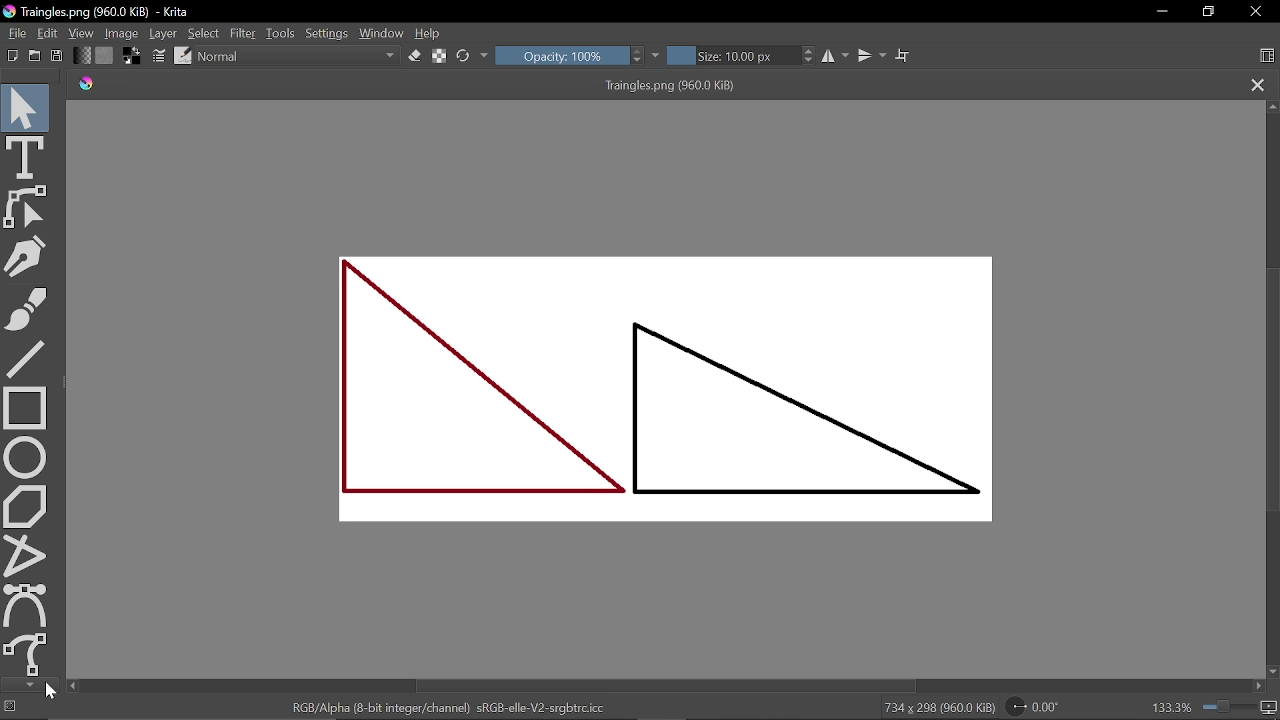  Describe the element at coordinates (10, 56) in the screenshot. I see `Create new document` at that location.